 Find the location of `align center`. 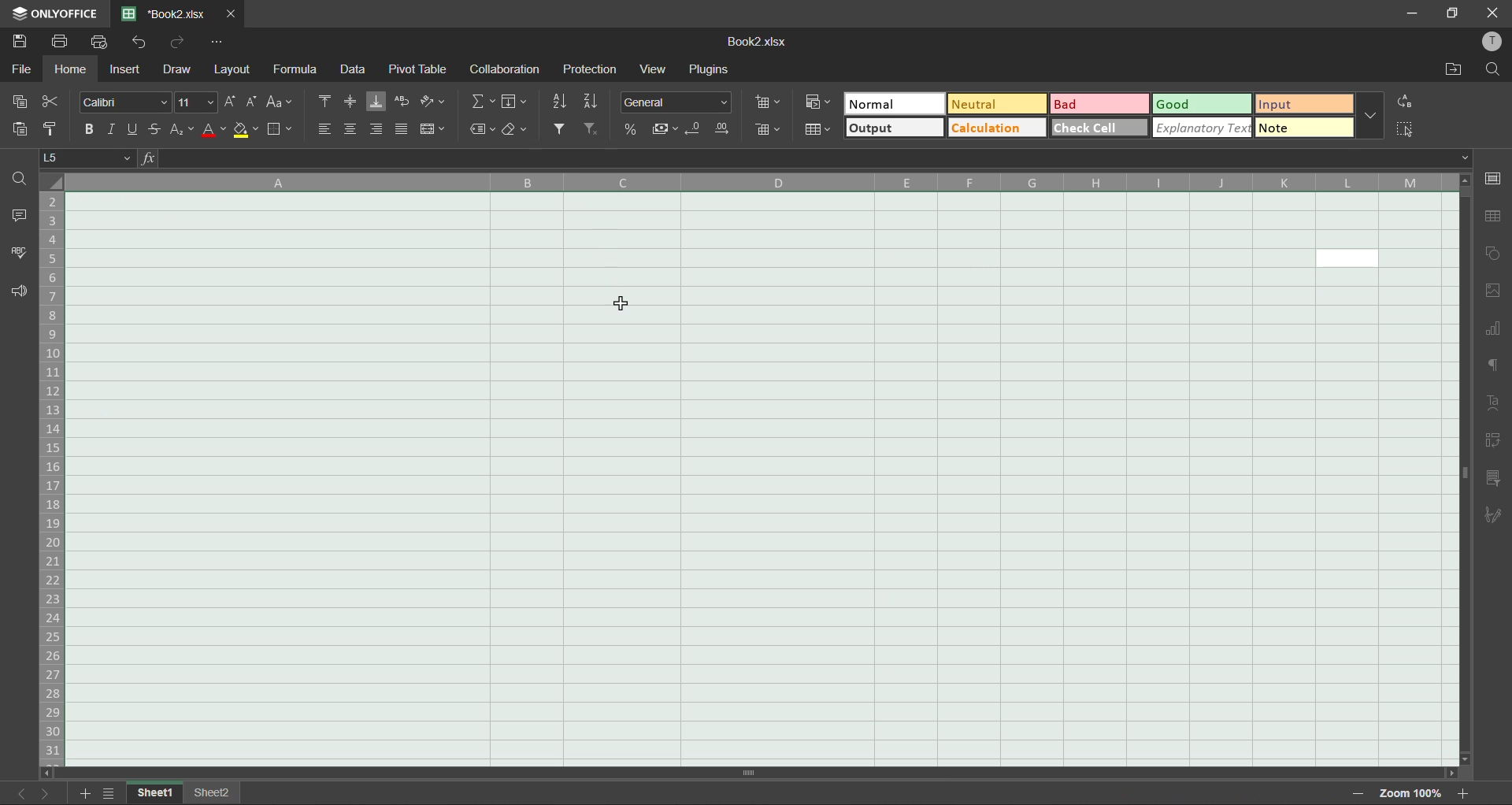

align center is located at coordinates (350, 132).